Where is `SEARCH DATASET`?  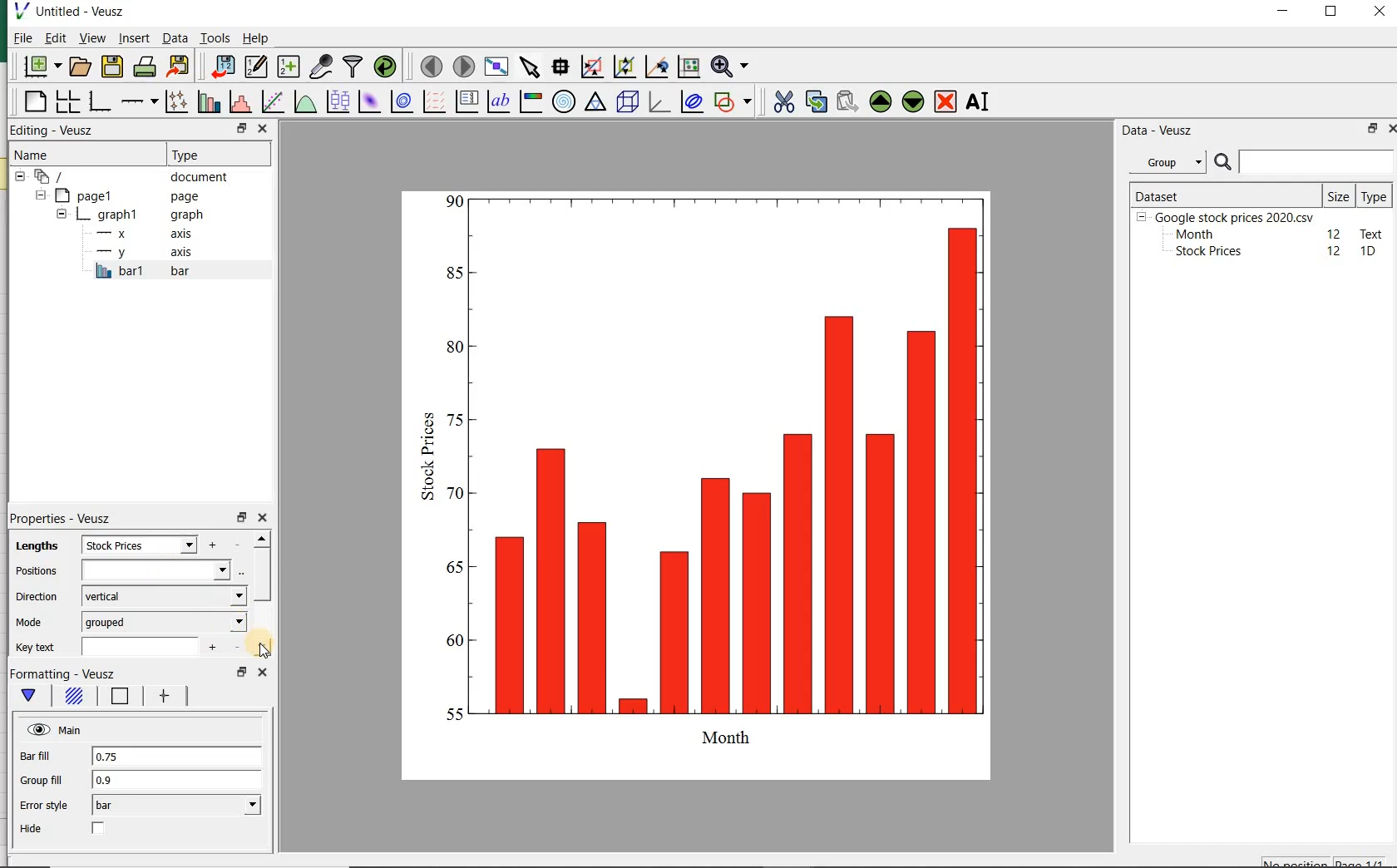 SEARCH DATASET is located at coordinates (1304, 161).